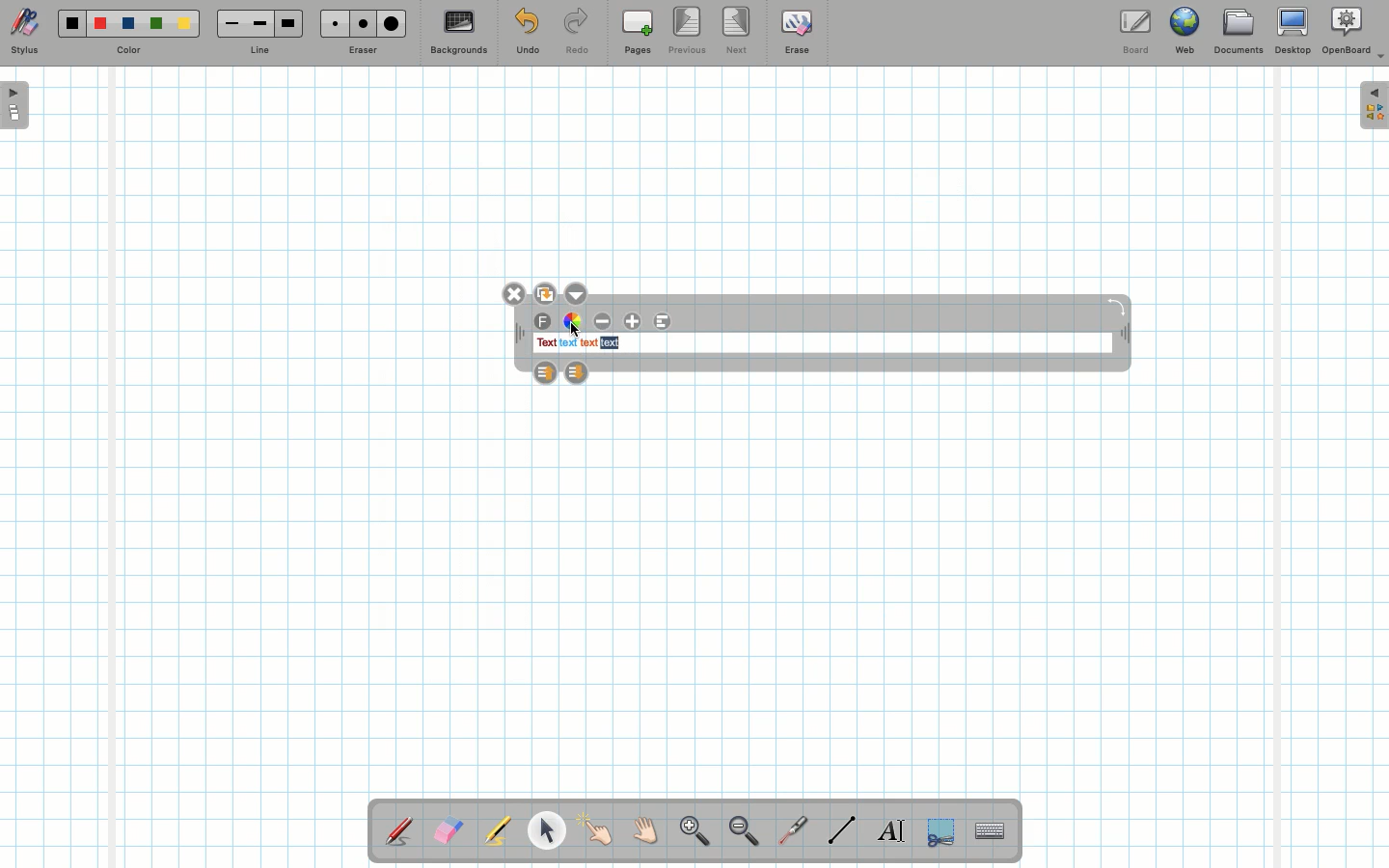  Describe the element at coordinates (604, 321) in the screenshot. I see `Decrease font size` at that location.